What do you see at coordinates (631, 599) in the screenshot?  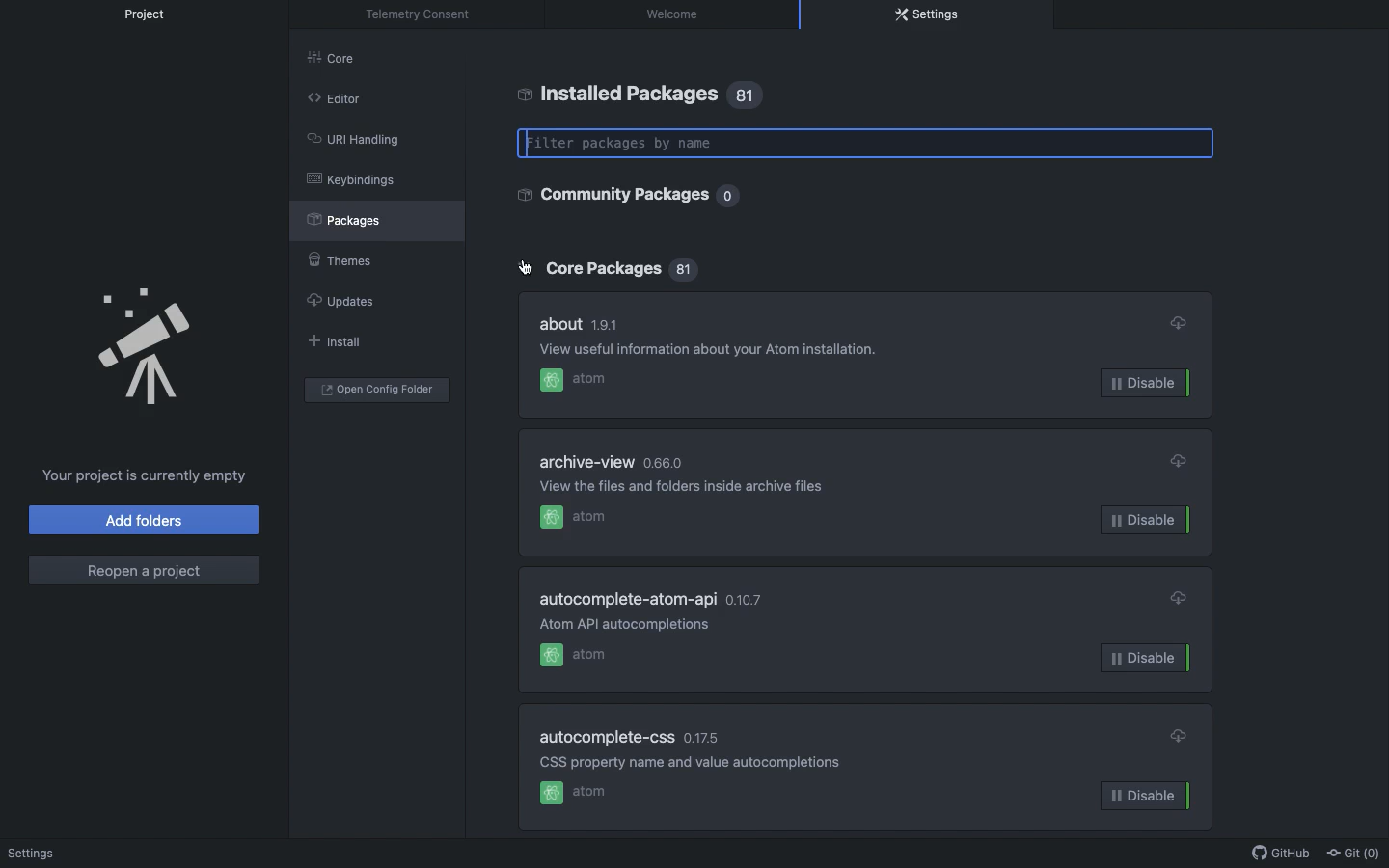 I see `Autocomplete-atom-api` at bounding box center [631, 599].